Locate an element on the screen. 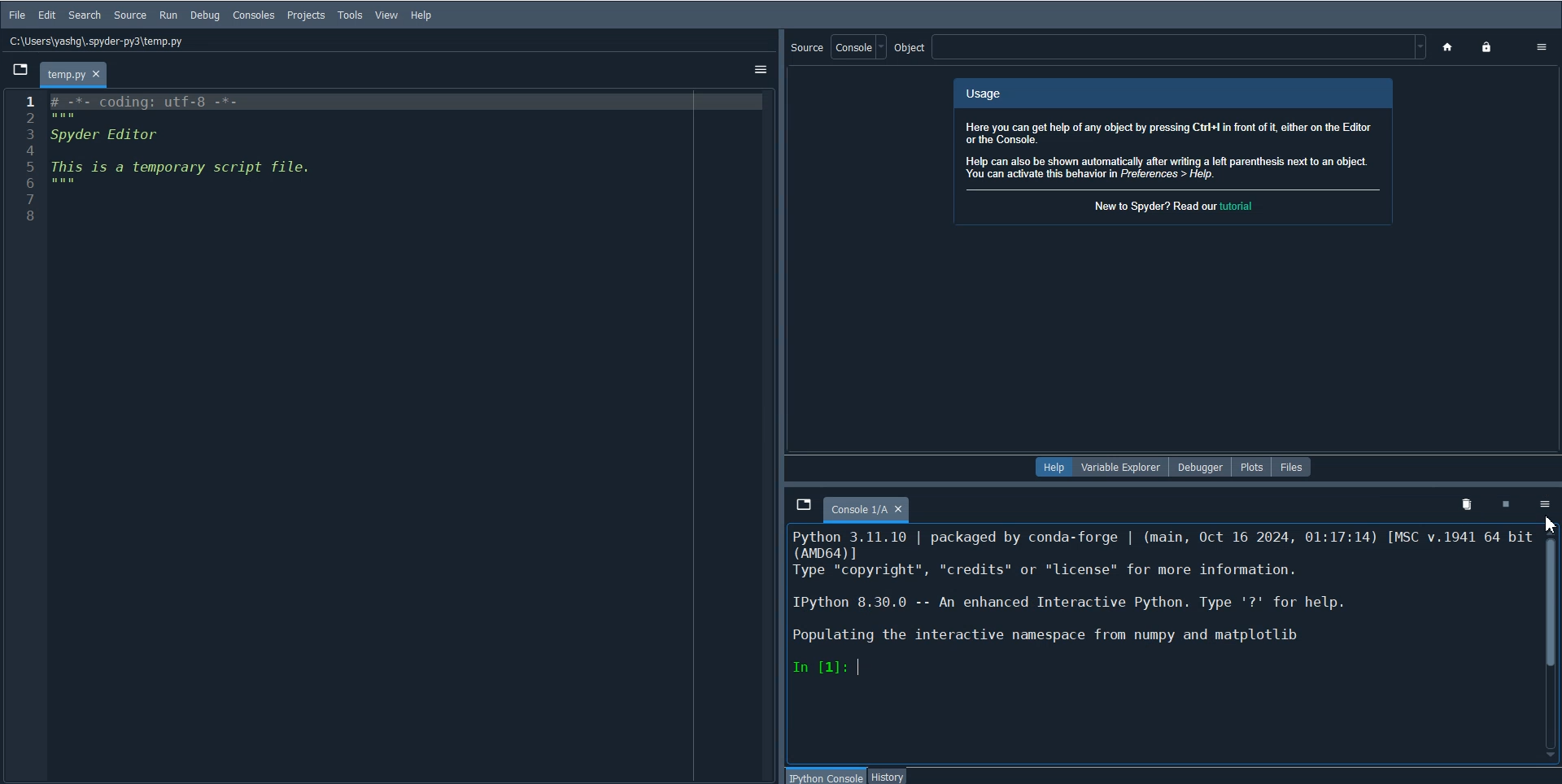 This screenshot has height=784, width=1562. Variable Explorer is located at coordinates (1120, 467).